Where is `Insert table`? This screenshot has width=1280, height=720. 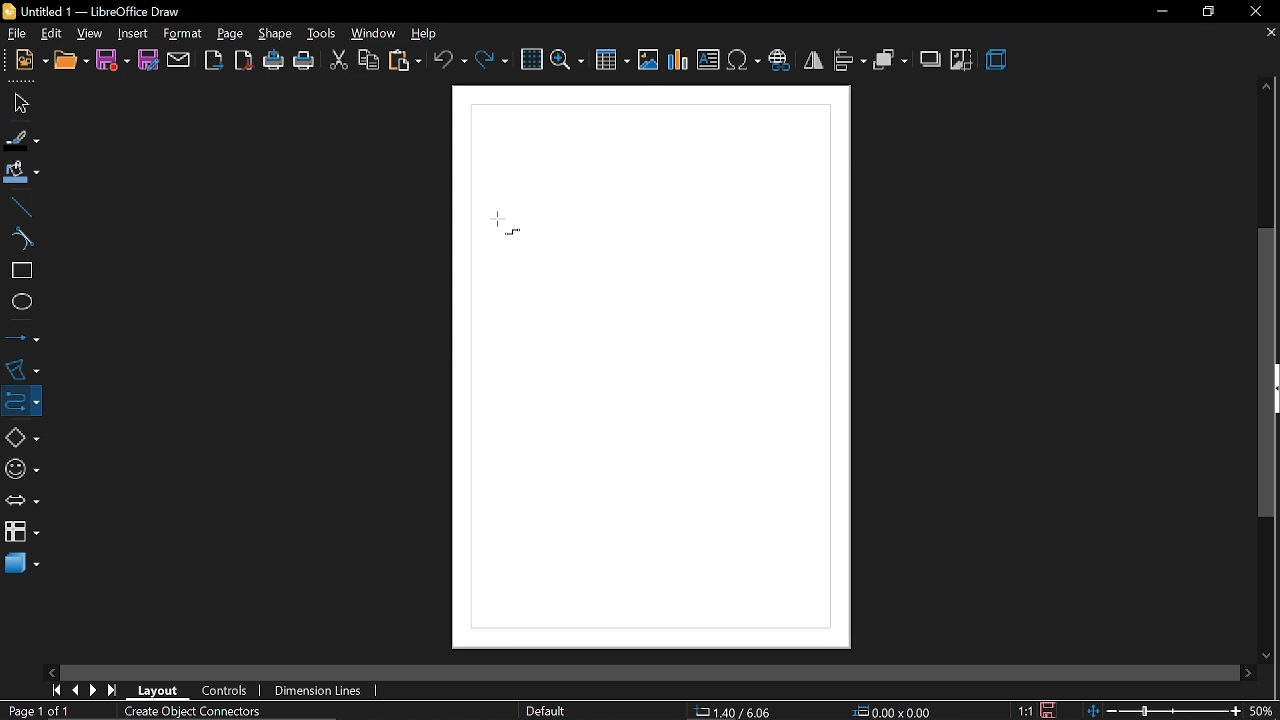
Insert table is located at coordinates (614, 59).